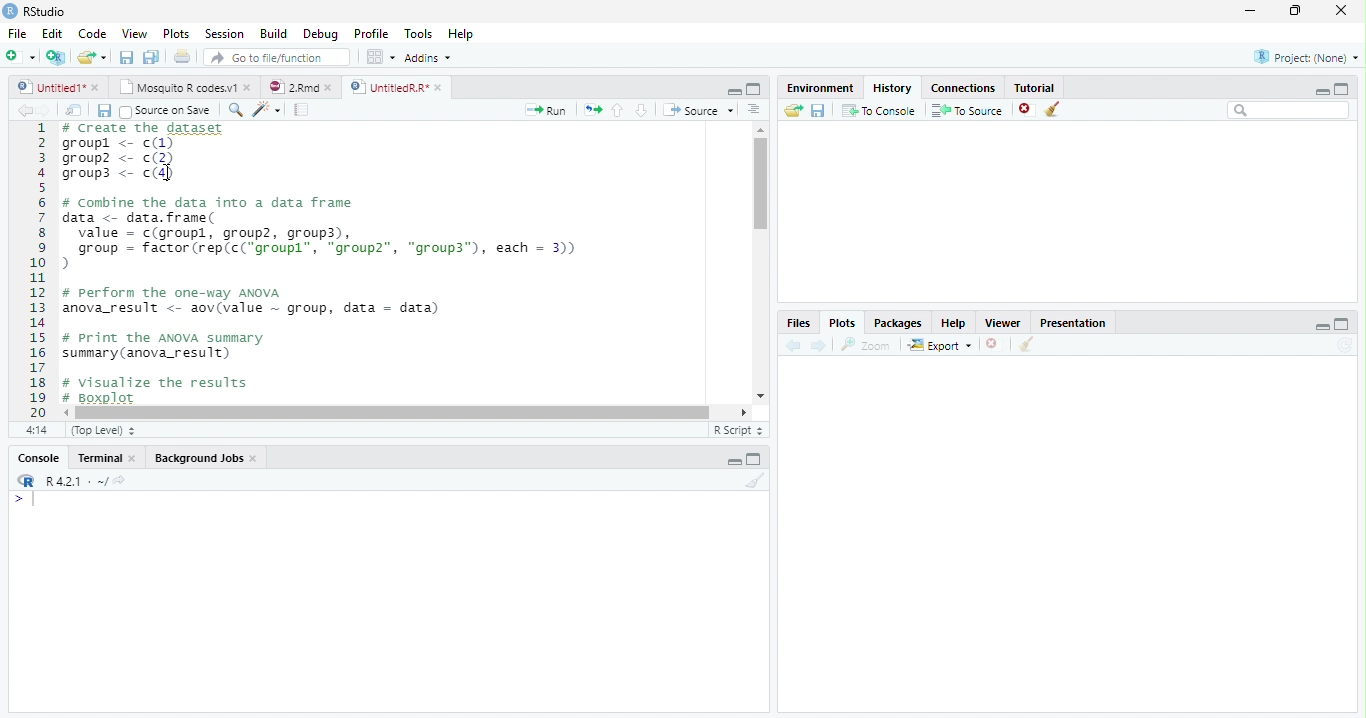 This screenshot has height=718, width=1366. What do you see at coordinates (400, 264) in the screenshot?
I see `geom boxplot() + Tabs(title = “soxplot of values by Group”, x = “Group”, y = “"value") +theme_minimal ()# mean plot with ggplot2group_means <- aggregate(value ~ group, data = data, mean)ggplot(group_means, aes(x = group, y = value, group = 1)) + #group=1 needed for line pgeon_line() +geon_point() +Tabs(title = “Mean Plot of values by Group”, x = “Group”, y = “Mean value") +theme_minimal ()# Tukey's Hsp for pairwise comparisons (post-hoc test)tukey_result <- TukeyHsD(anova_result)print (tukey_result)#visualize Tukey's HSD results` at bounding box center [400, 264].